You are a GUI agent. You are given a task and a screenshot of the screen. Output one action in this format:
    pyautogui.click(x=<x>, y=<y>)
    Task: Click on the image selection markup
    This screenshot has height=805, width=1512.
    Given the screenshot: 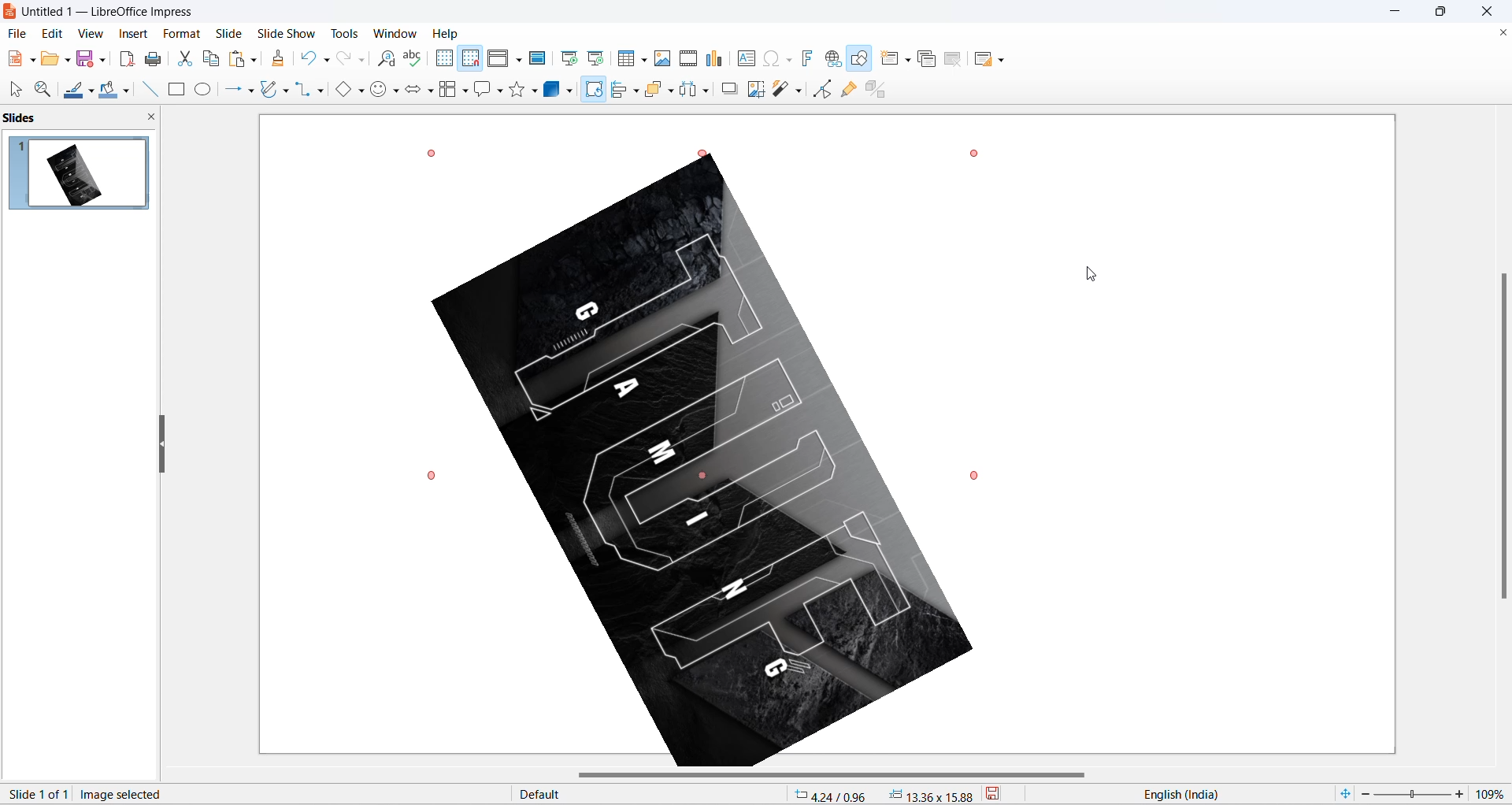 What is the action you would take?
    pyautogui.click(x=431, y=153)
    